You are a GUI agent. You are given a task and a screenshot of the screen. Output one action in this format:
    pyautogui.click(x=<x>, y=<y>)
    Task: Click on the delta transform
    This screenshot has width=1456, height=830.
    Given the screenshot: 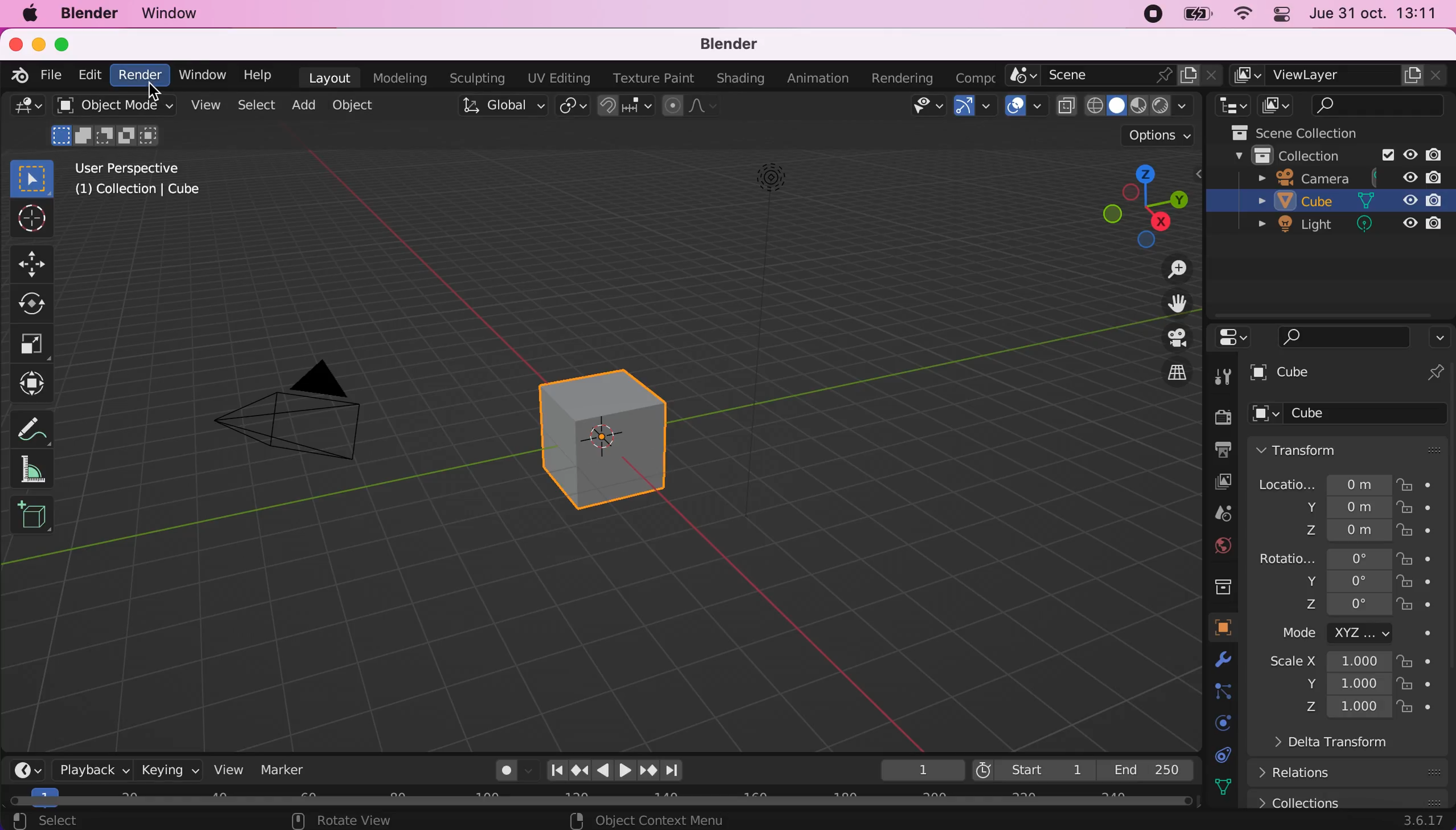 What is the action you would take?
    pyautogui.click(x=1322, y=746)
    